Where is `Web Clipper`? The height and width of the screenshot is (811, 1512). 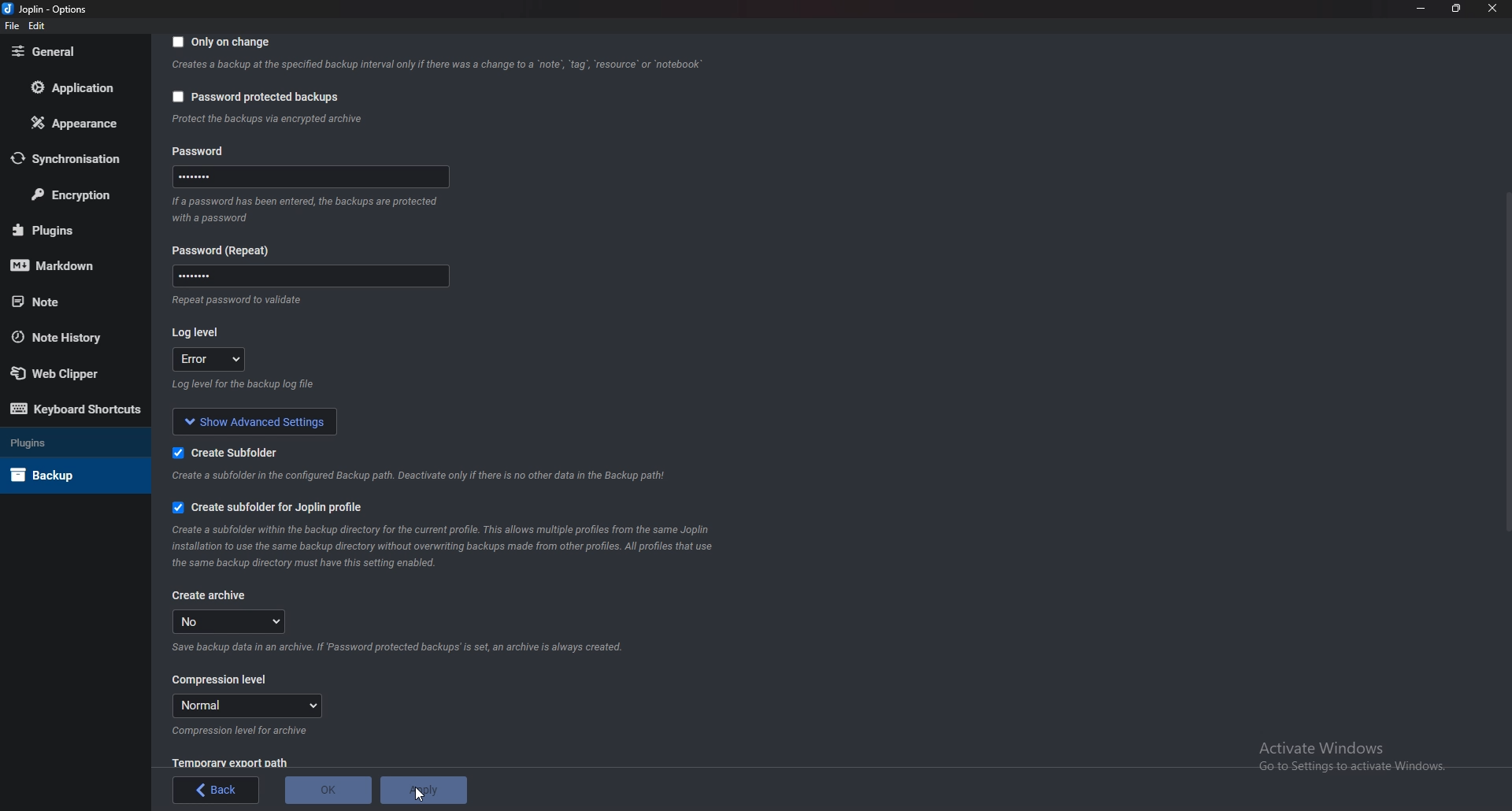
Web Clipper is located at coordinates (64, 370).